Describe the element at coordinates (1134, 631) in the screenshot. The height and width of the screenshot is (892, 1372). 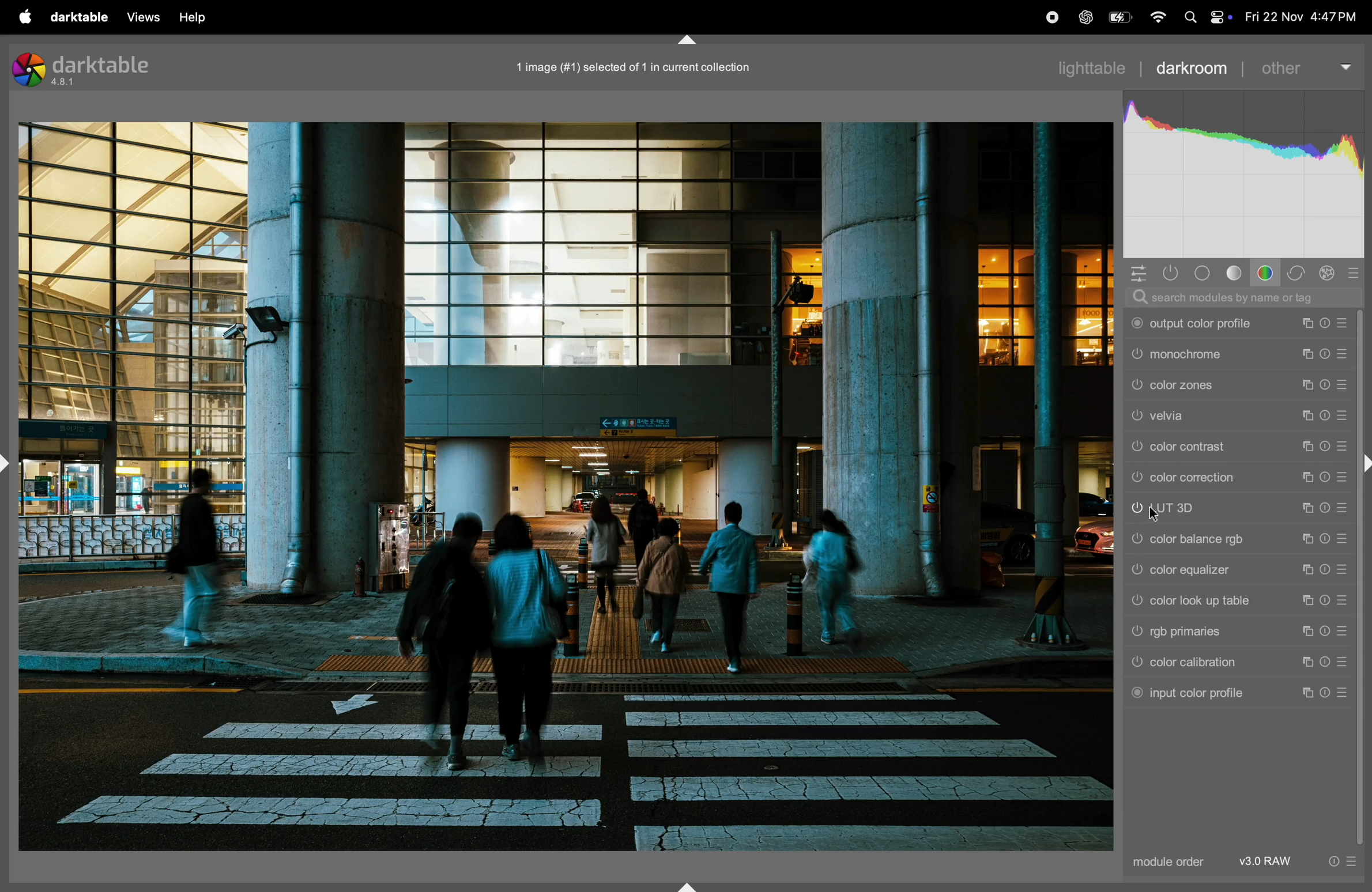
I see `rgb primaries switched off` at that location.